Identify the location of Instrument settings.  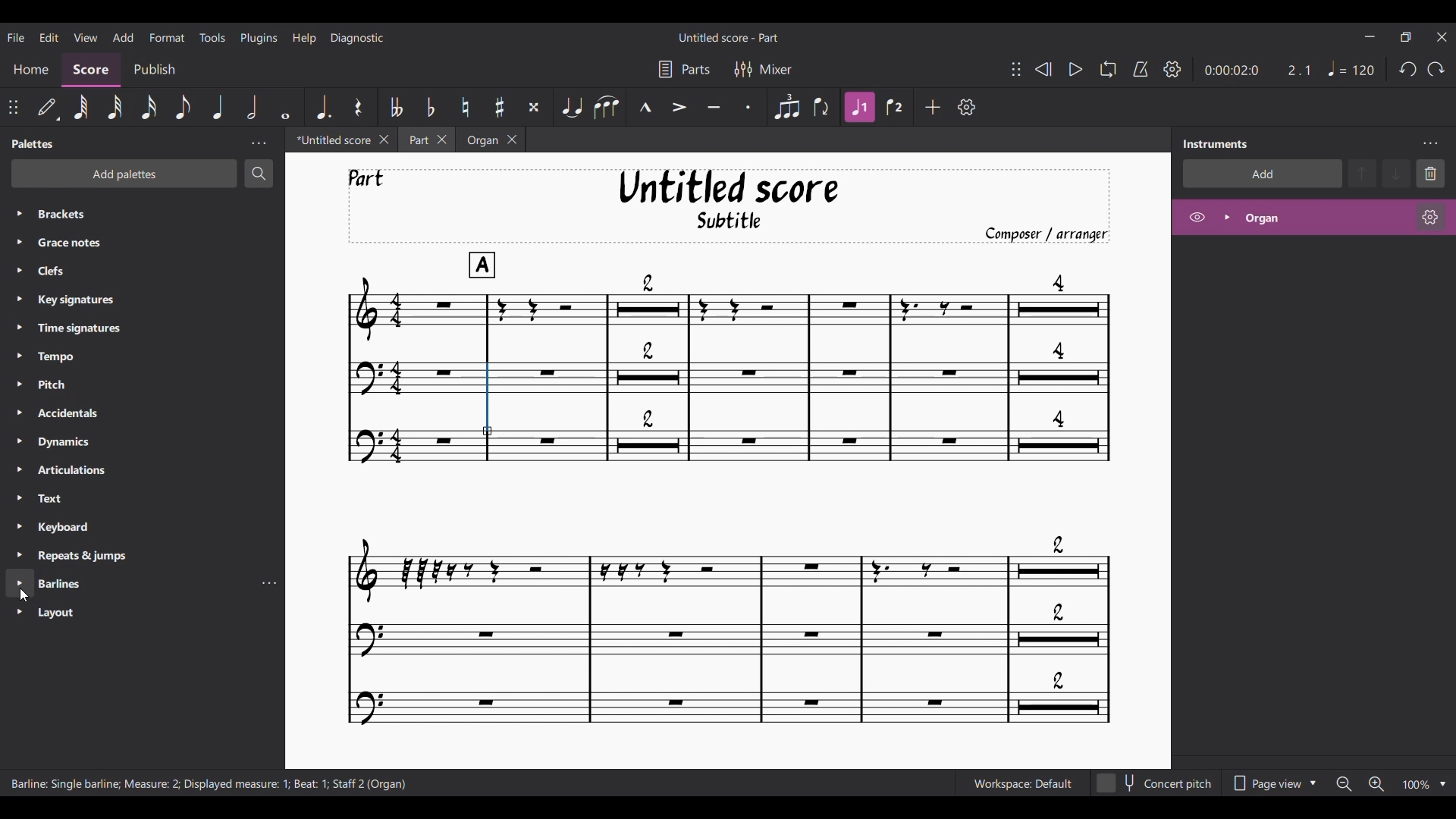
(1431, 144).